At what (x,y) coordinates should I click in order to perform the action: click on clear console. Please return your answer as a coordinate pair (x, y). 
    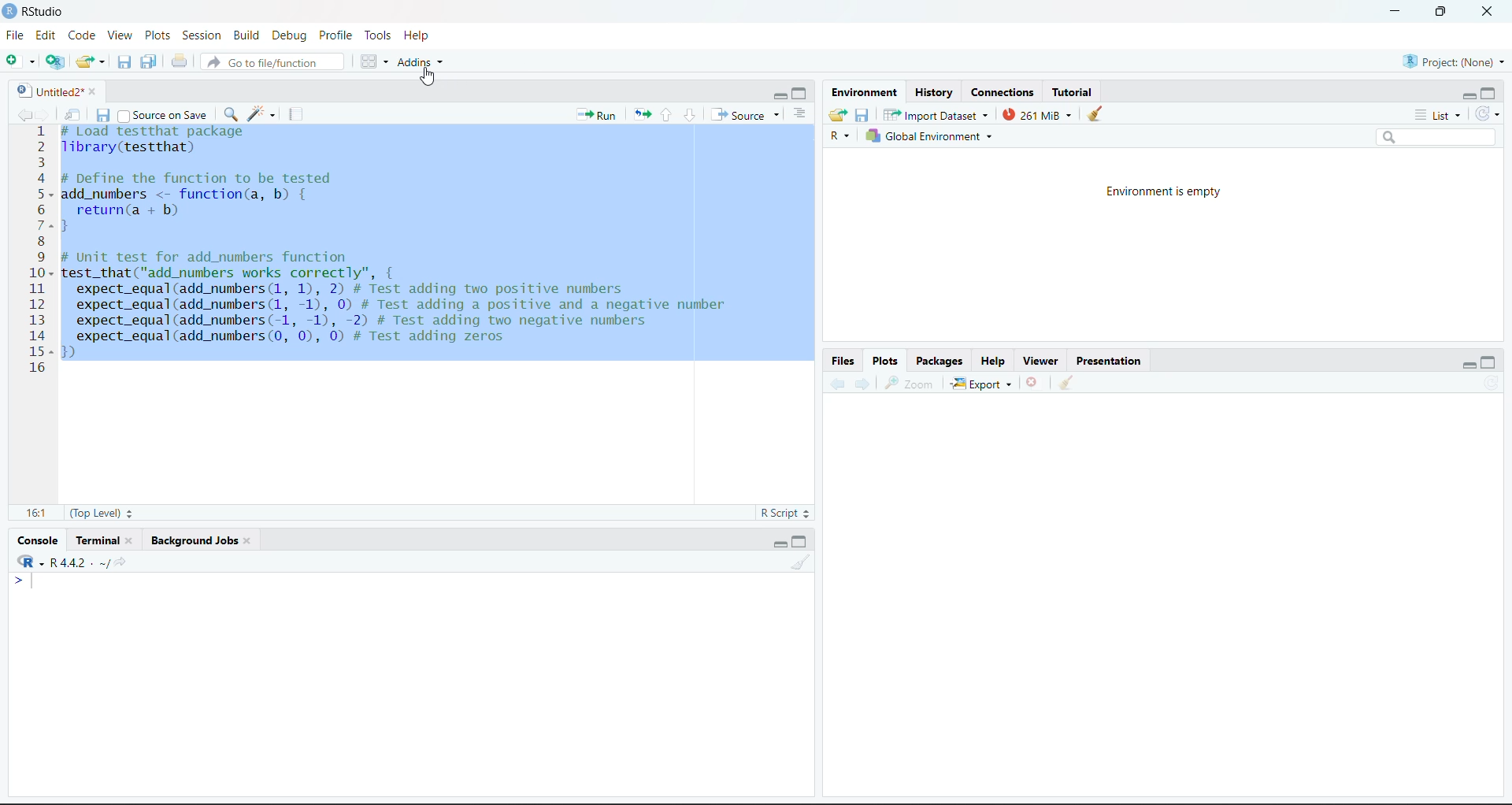
    Looking at the image, I should click on (1098, 115).